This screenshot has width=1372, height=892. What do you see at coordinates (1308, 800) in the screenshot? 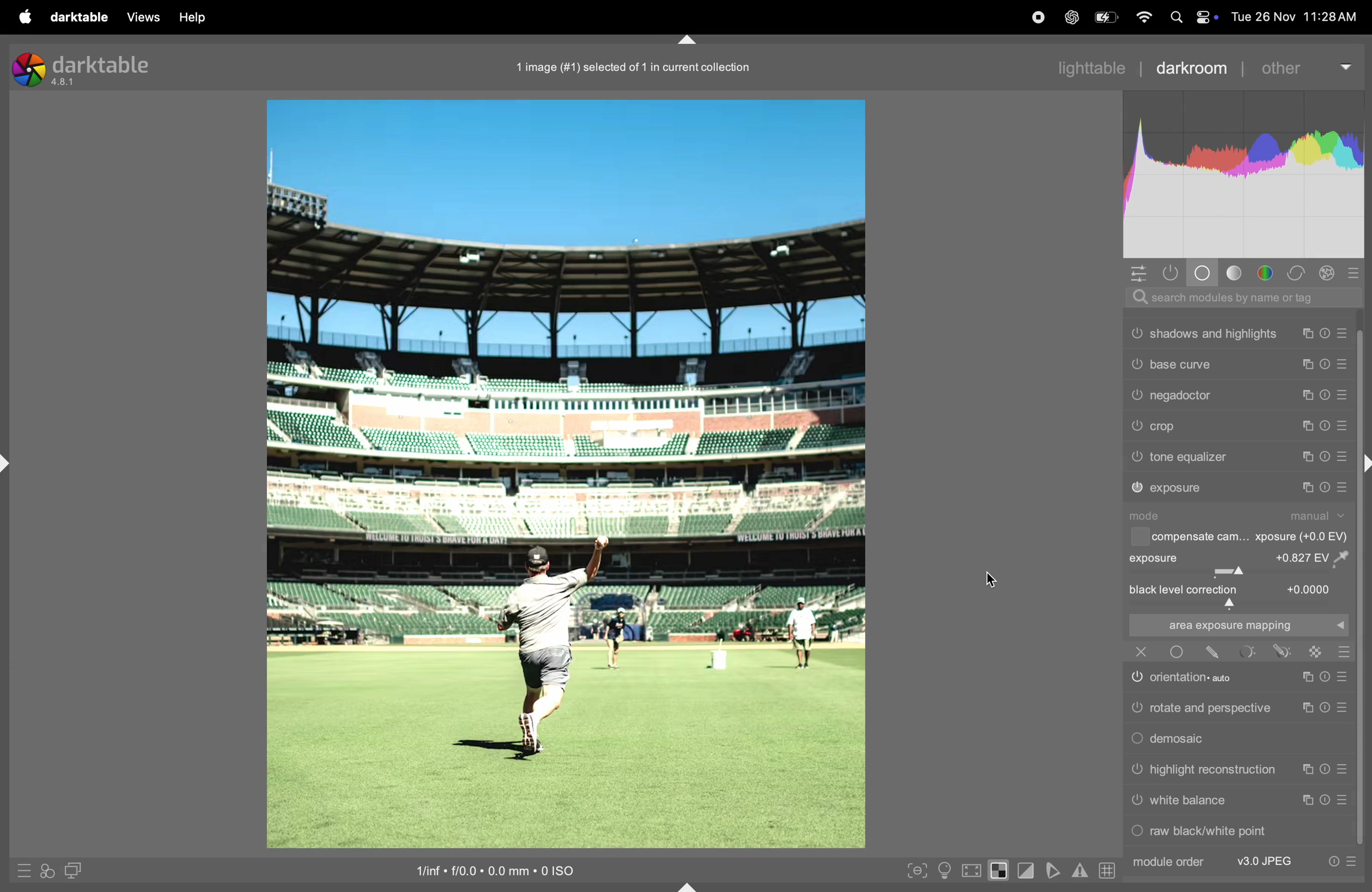
I see `copy` at bounding box center [1308, 800].